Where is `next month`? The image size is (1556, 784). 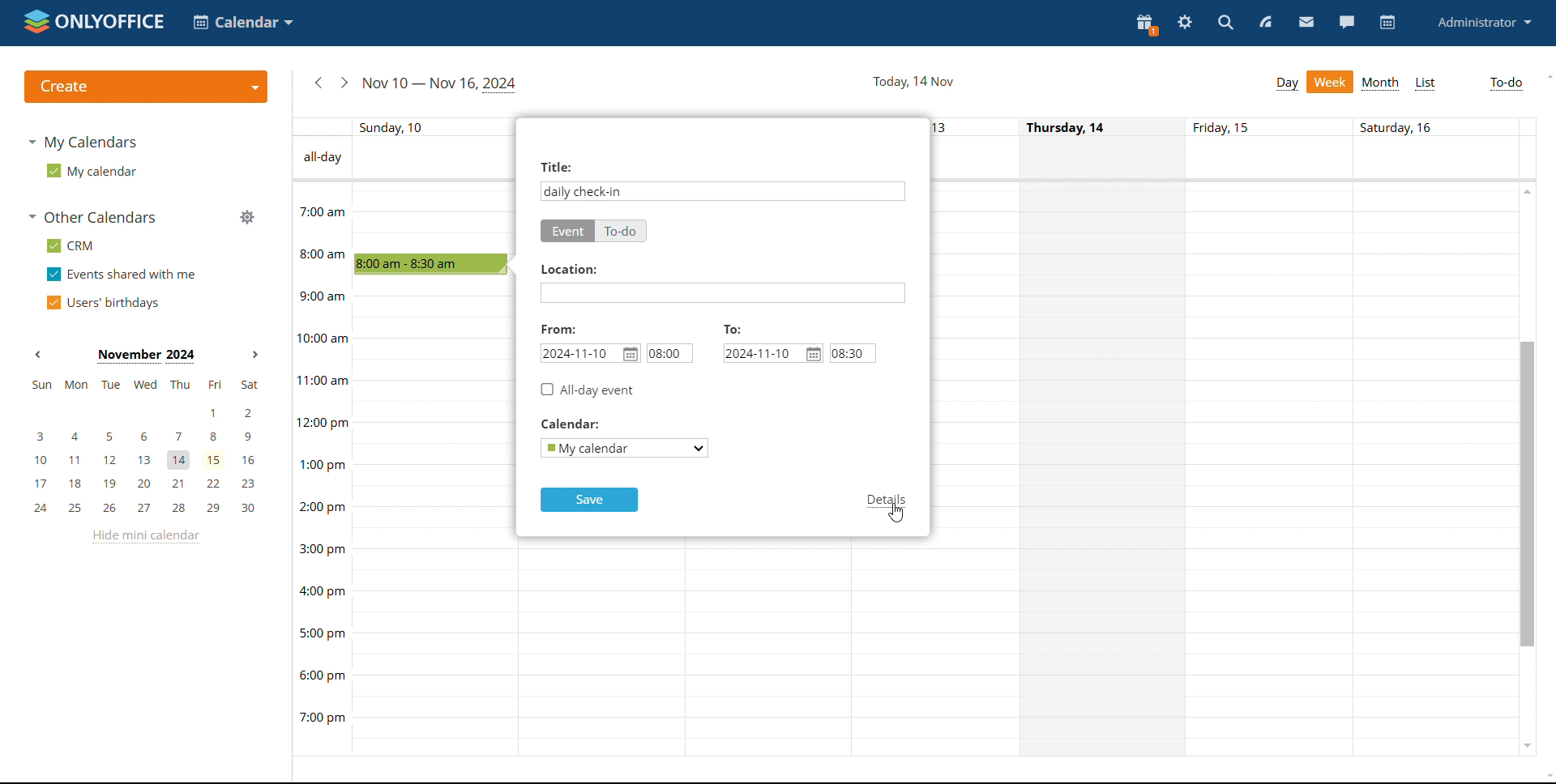
next month is located at coordinates (254, 355).